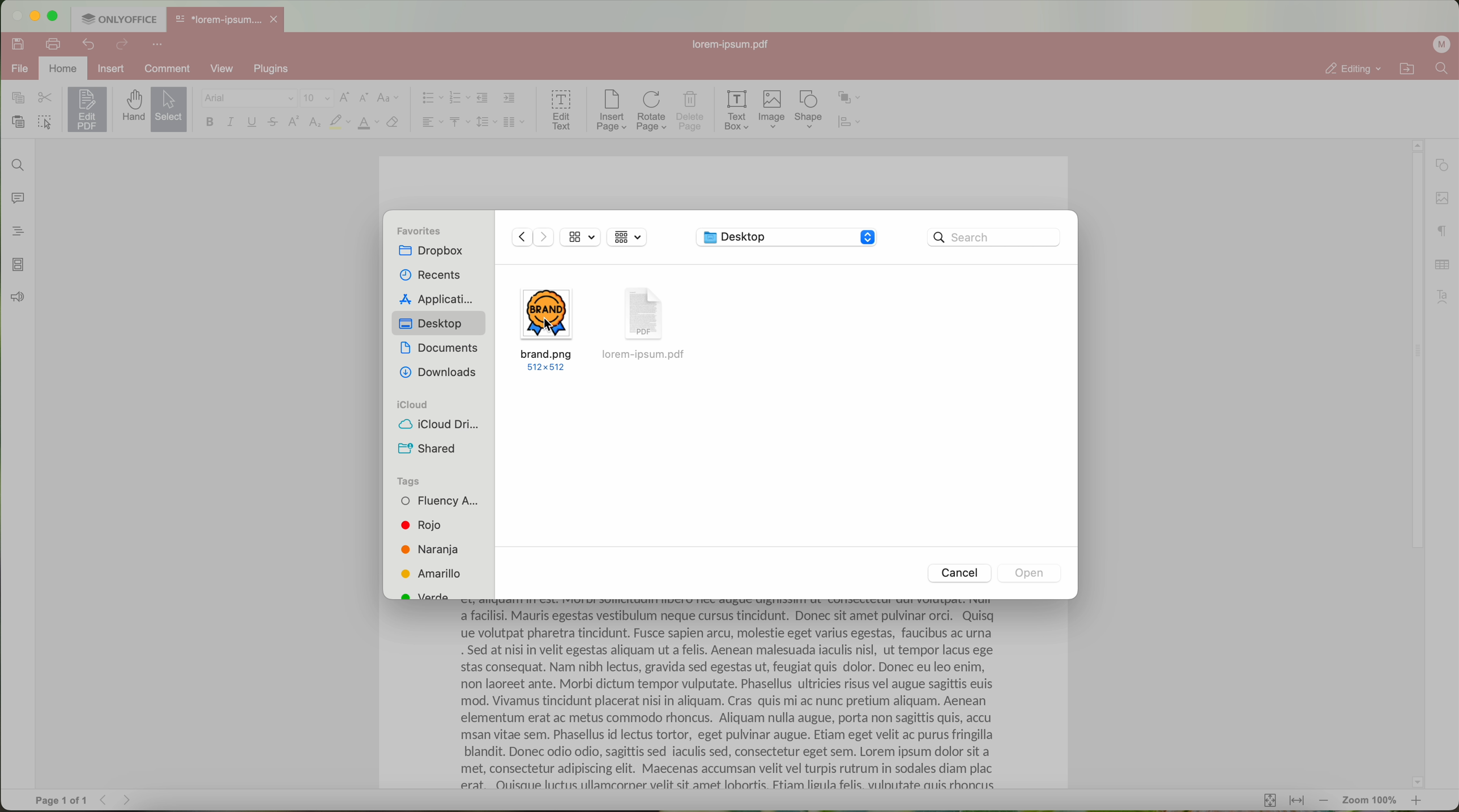  What do you see at coordinates (1441, 68) in the screenshot?
I see `find` at bounding box center [1441, 68].